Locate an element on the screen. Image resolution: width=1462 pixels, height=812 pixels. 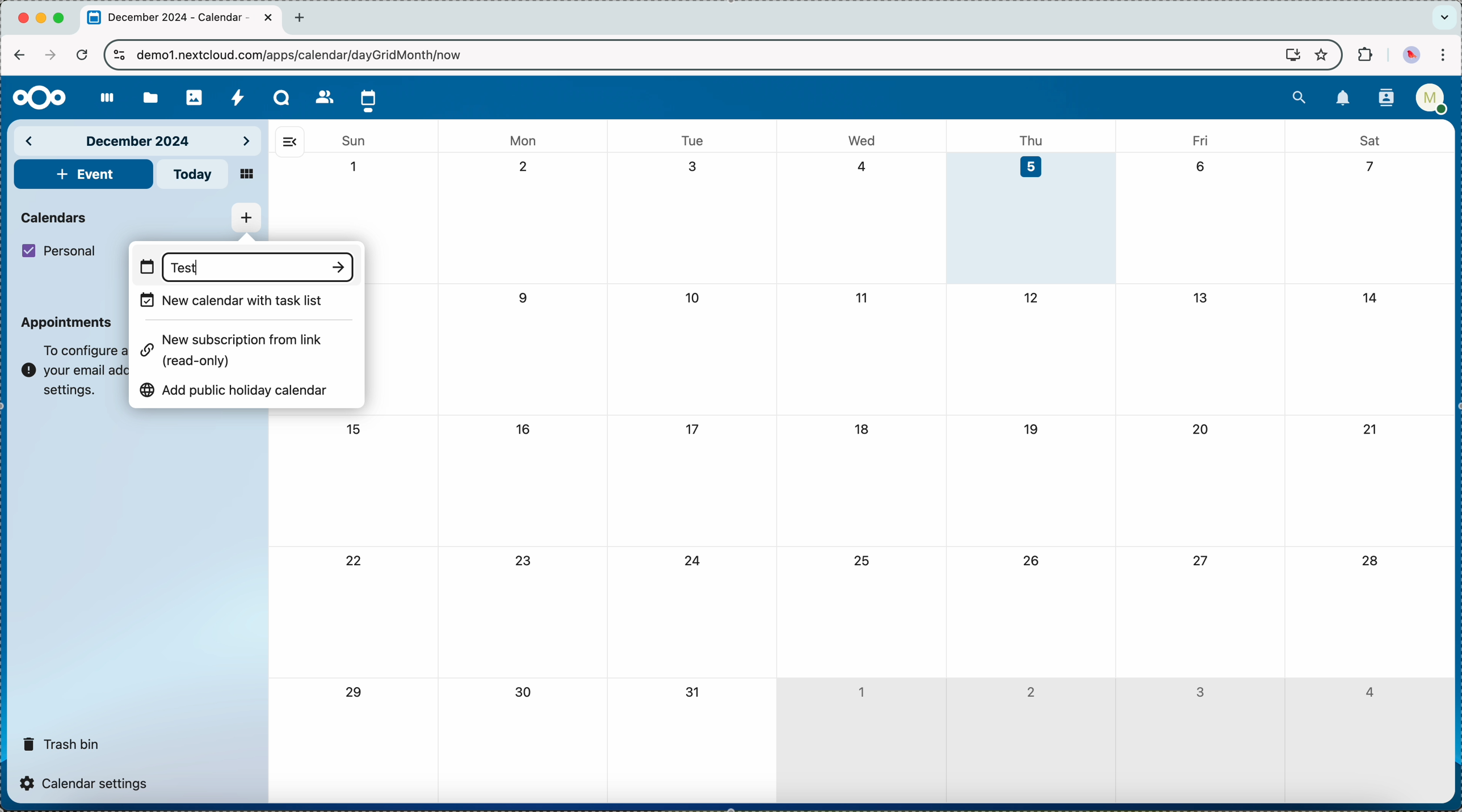
activity is located at coordinates (238, 97).